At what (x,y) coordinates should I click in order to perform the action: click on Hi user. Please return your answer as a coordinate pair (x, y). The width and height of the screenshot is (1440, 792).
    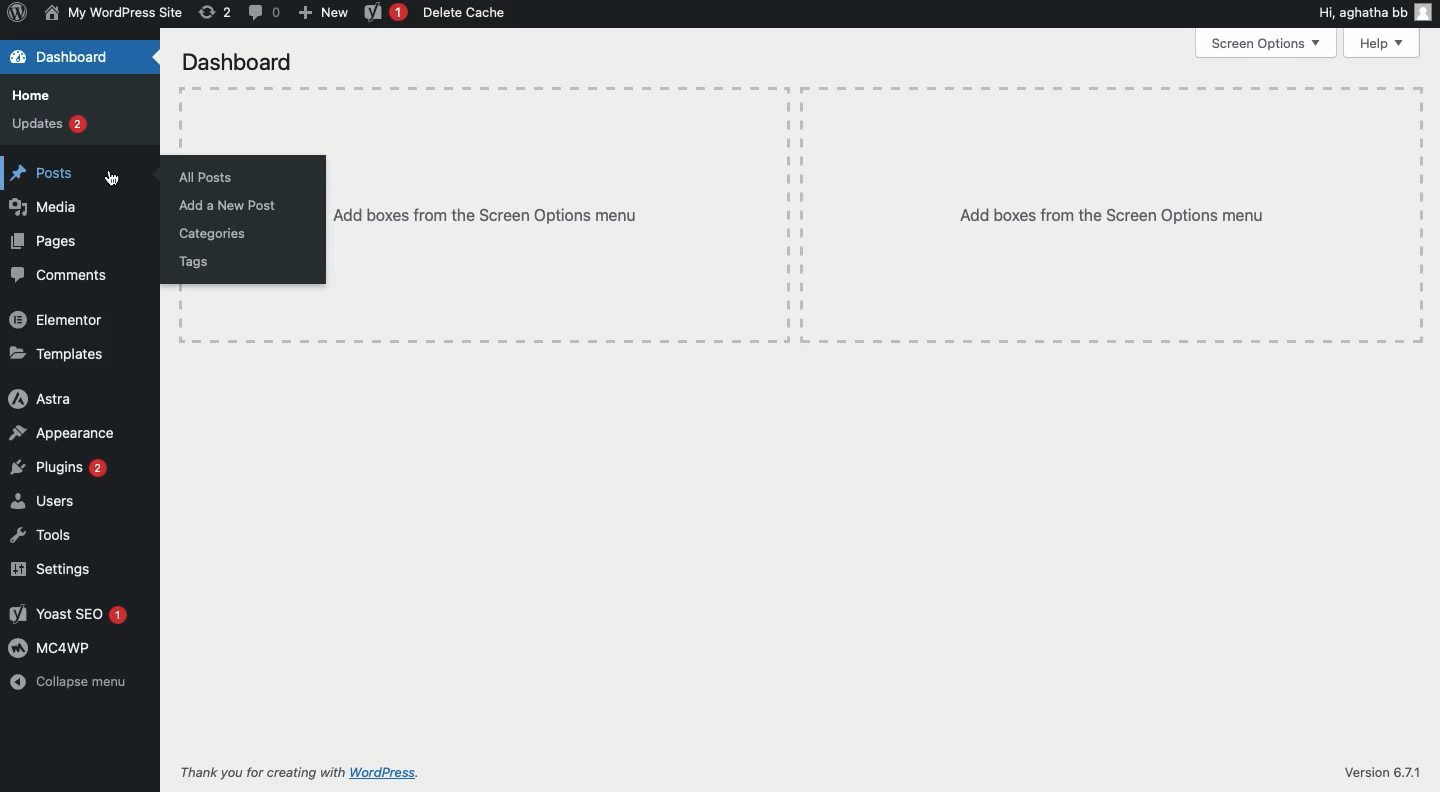
    Looking at the image, I should click on (1376, 14).